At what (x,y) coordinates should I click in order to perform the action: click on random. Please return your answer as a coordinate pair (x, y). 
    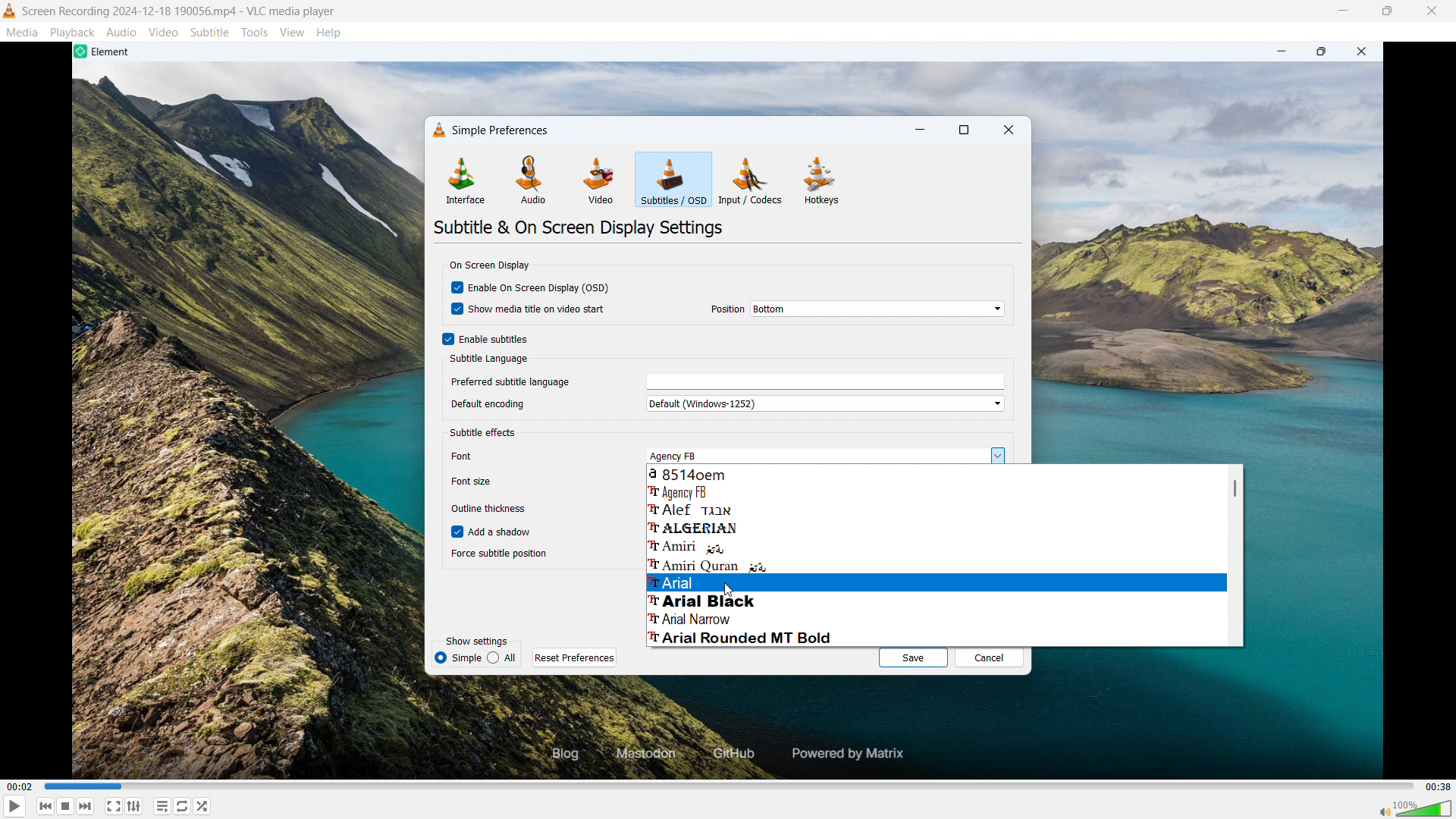
    Looking at the image, I should click on (202, 806).